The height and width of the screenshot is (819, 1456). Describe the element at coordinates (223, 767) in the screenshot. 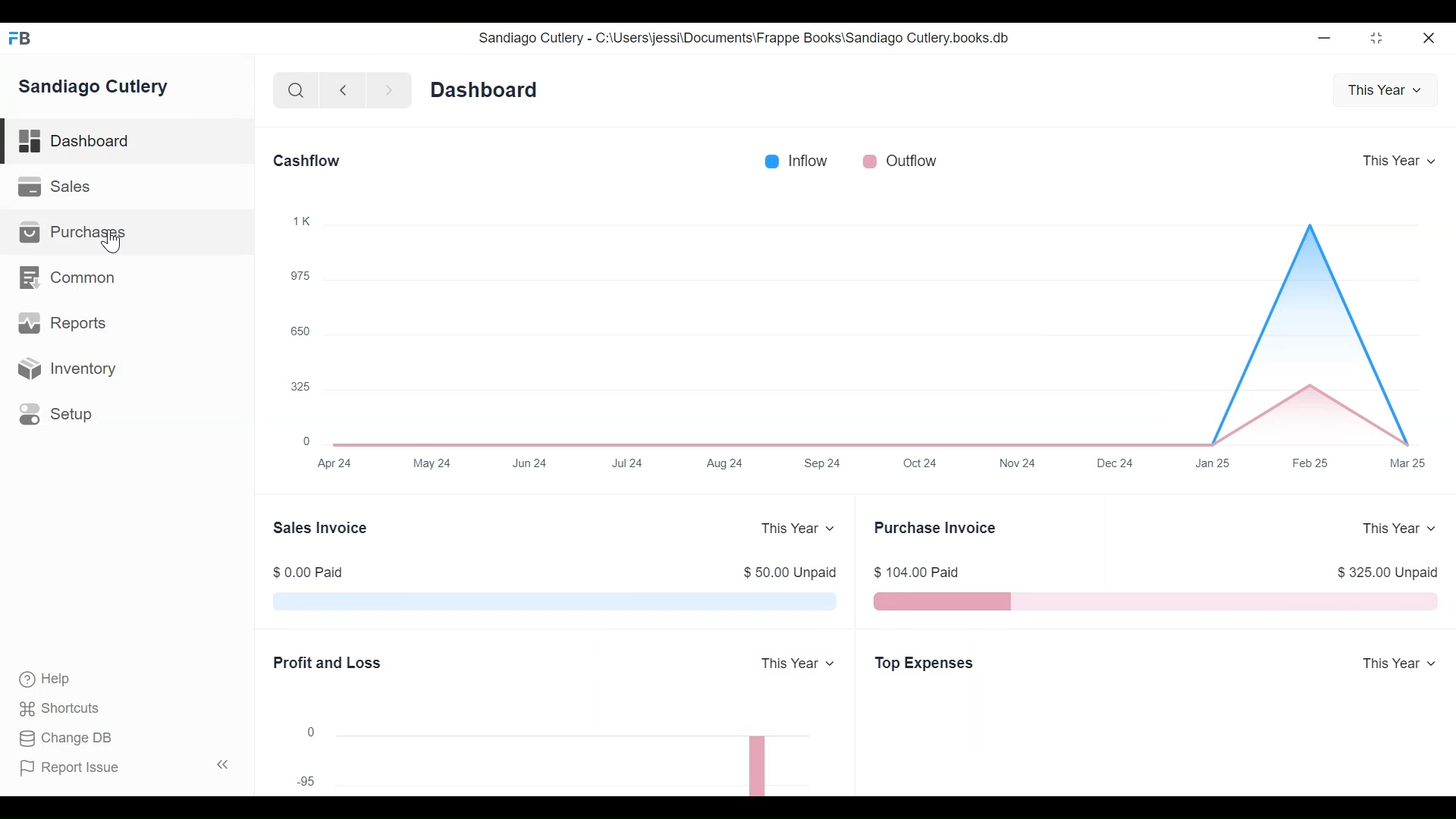

I see `expand` at that location.